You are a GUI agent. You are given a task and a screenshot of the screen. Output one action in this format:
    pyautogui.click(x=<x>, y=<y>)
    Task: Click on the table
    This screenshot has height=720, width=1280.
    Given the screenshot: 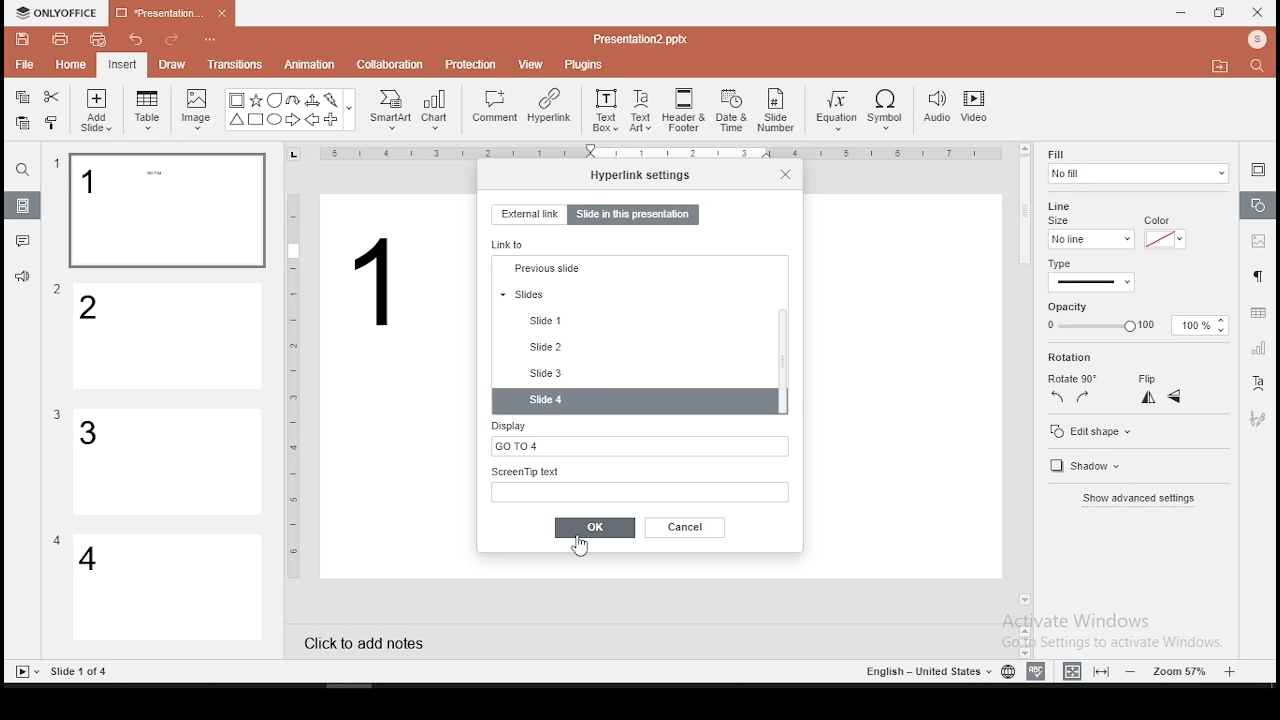 What is the action you would take?
    pyautogui.click(x=147, y=107)
    